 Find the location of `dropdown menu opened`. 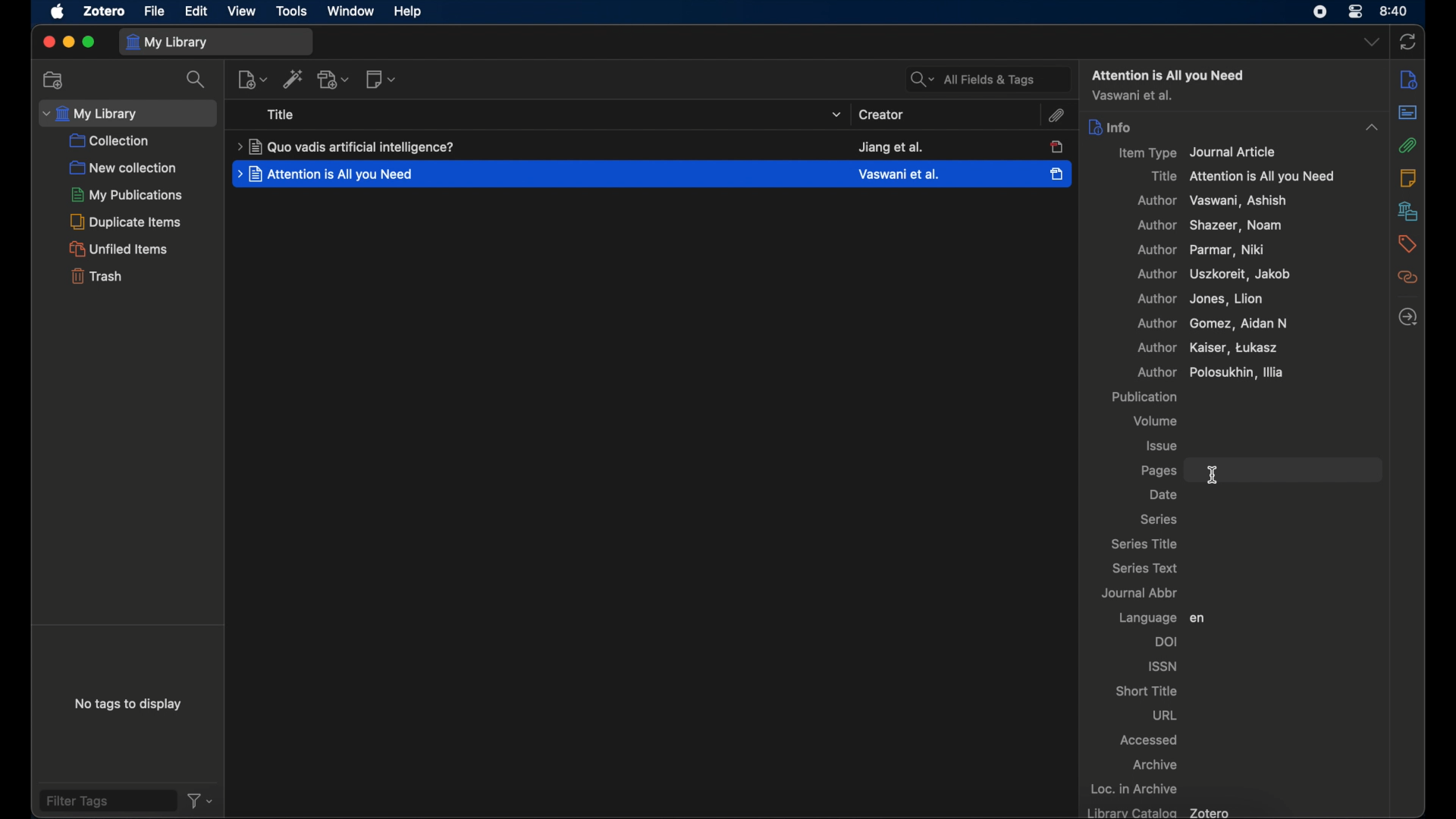

dropdown menu opened is located at coordinates (1371, 127).